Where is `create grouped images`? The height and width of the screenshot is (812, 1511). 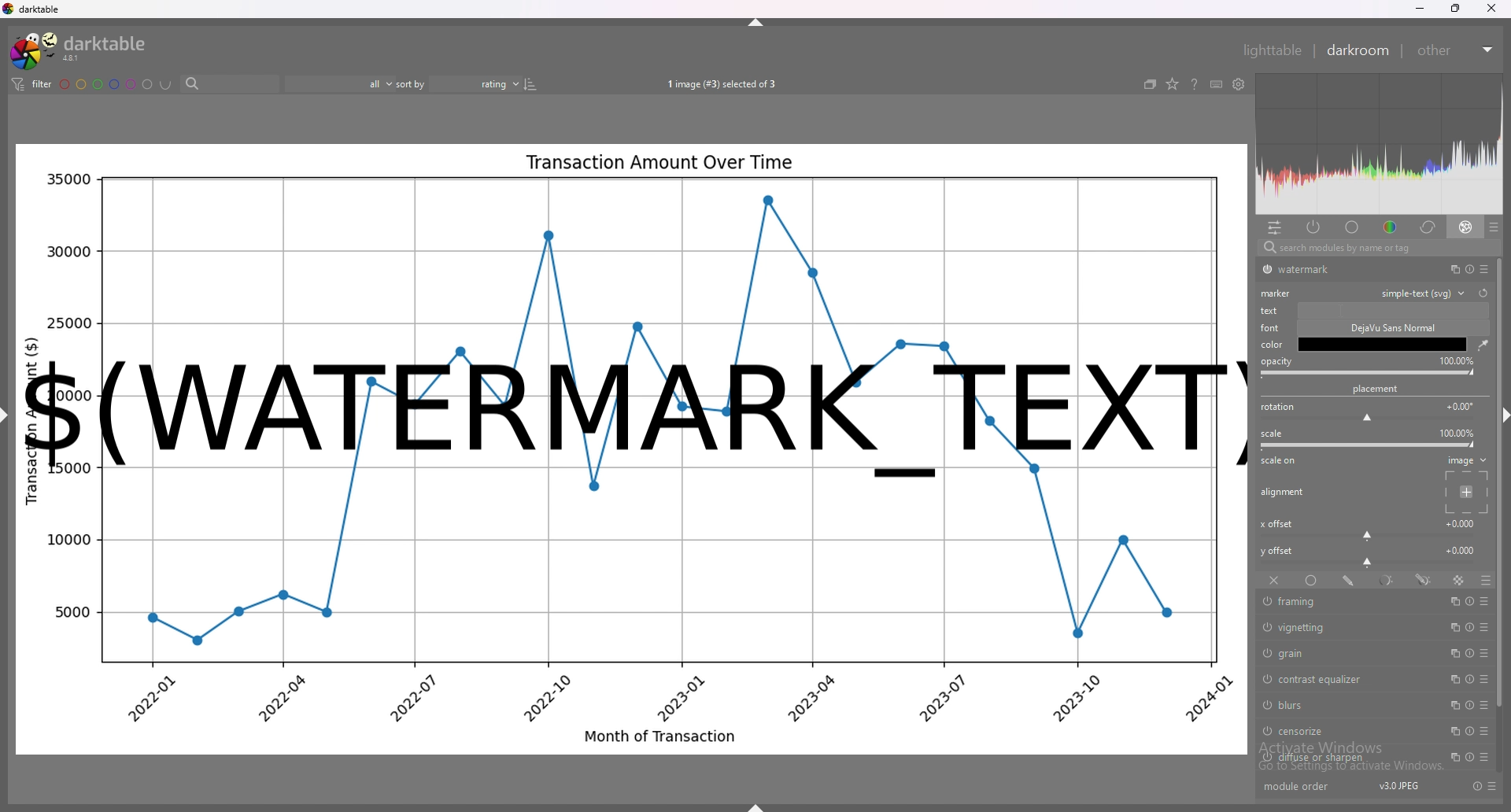
create grouped images is located at coordinates (1151, 84).